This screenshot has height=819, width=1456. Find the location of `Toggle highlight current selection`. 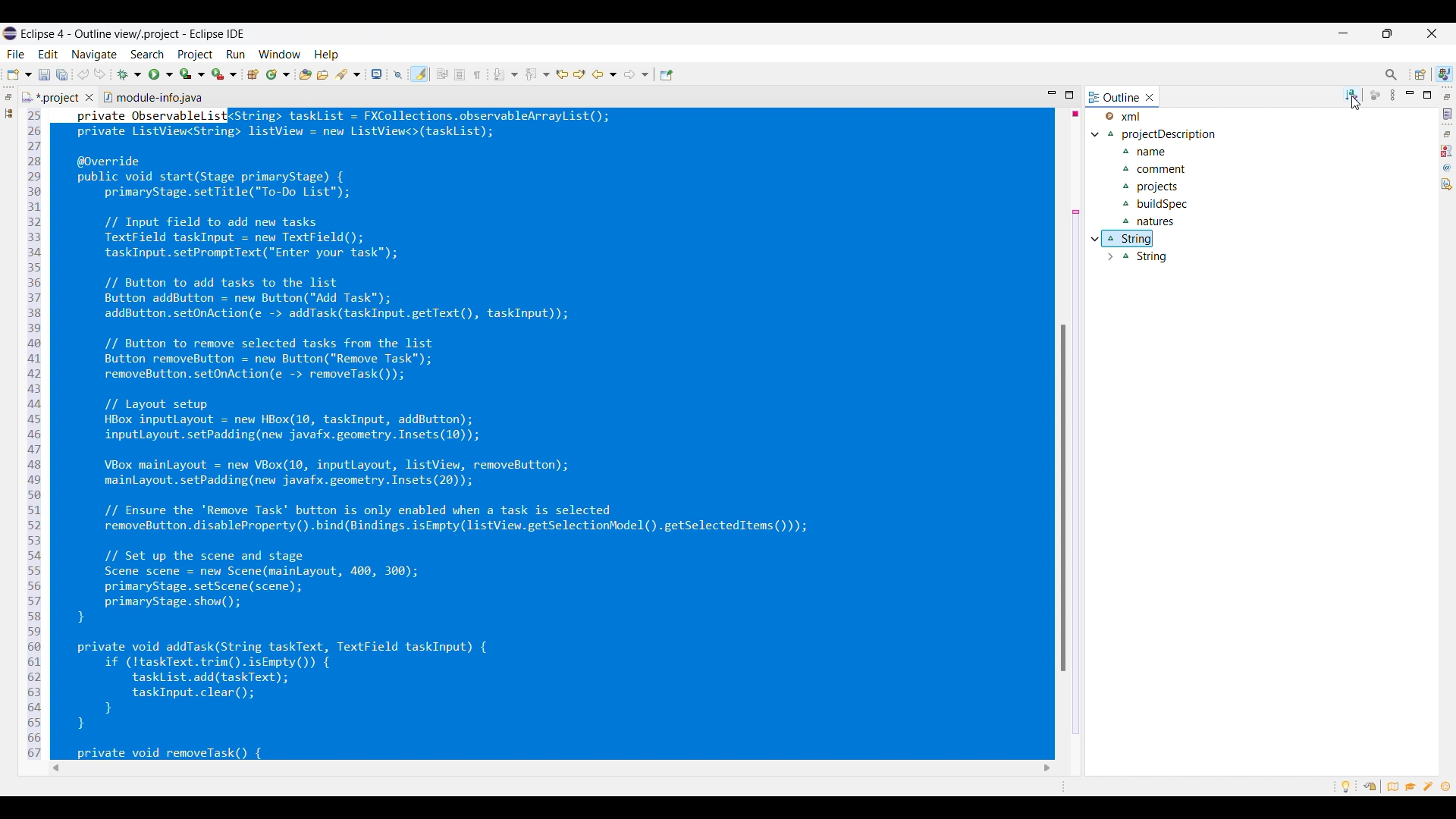

Toggle highlight current selection is located at coordinates (419, 74).